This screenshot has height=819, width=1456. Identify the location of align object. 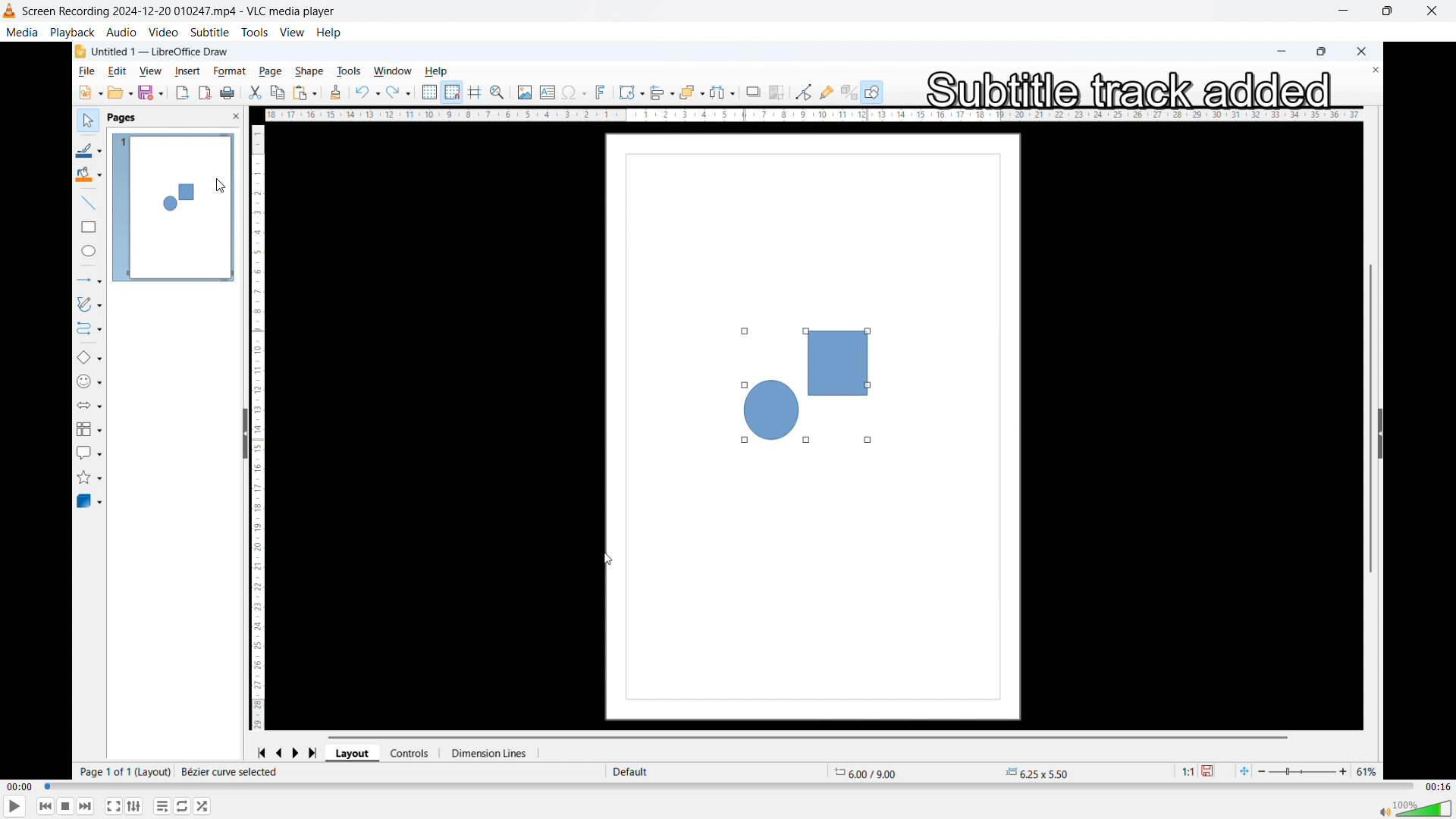
(662, 93).